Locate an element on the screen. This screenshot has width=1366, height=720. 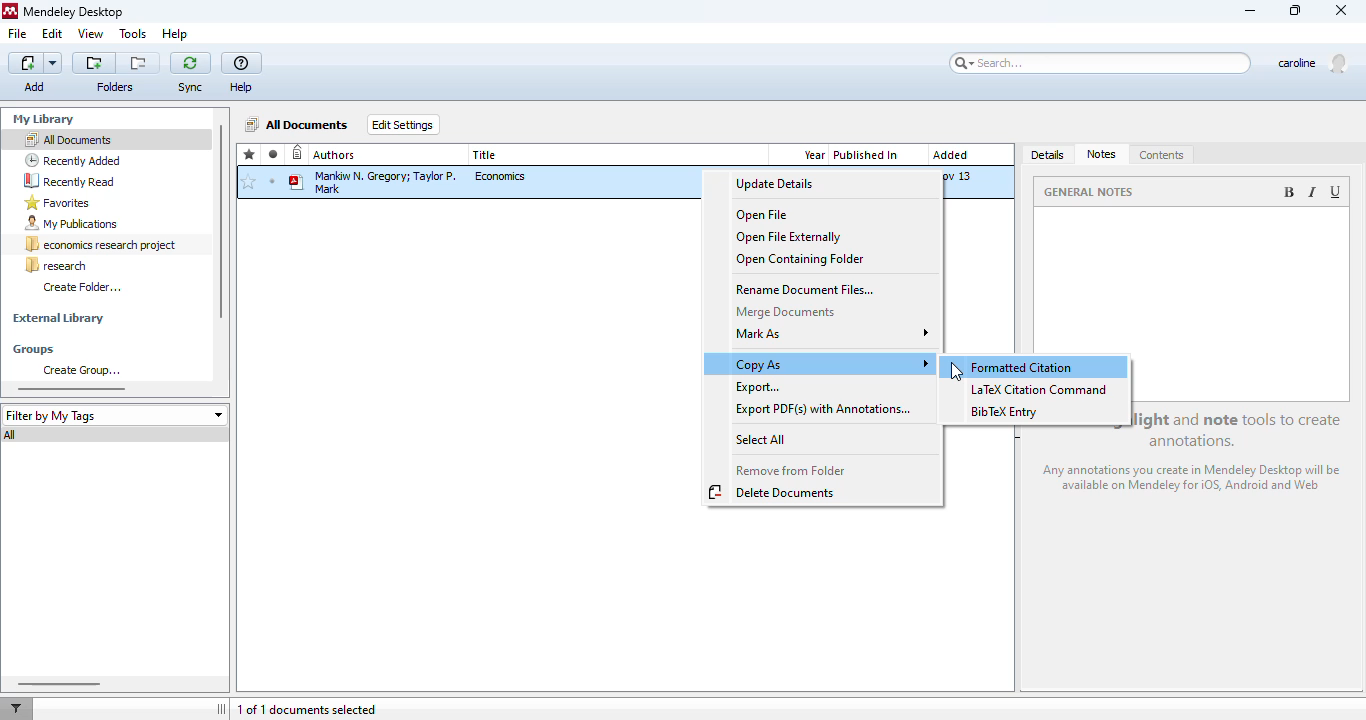
toggle sidebar is located at coordinates (223, 709).